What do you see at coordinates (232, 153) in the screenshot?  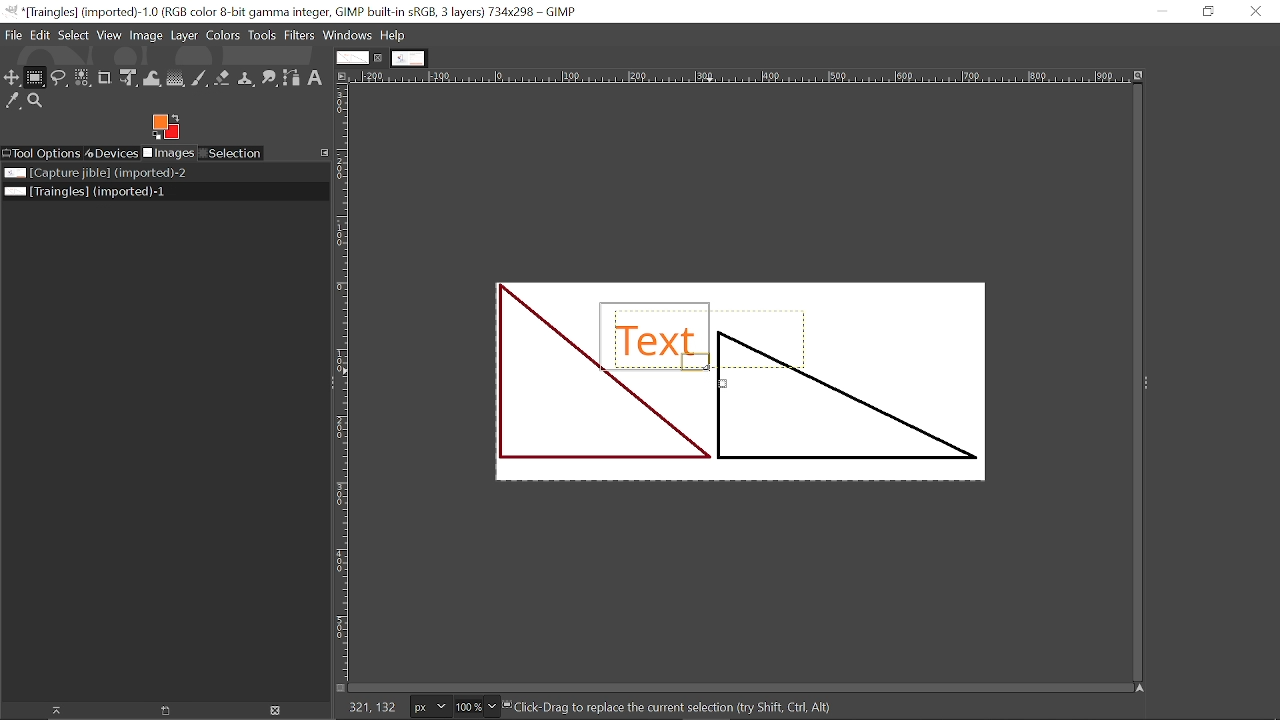 I see `Selection` at bounding box center [232, 153].